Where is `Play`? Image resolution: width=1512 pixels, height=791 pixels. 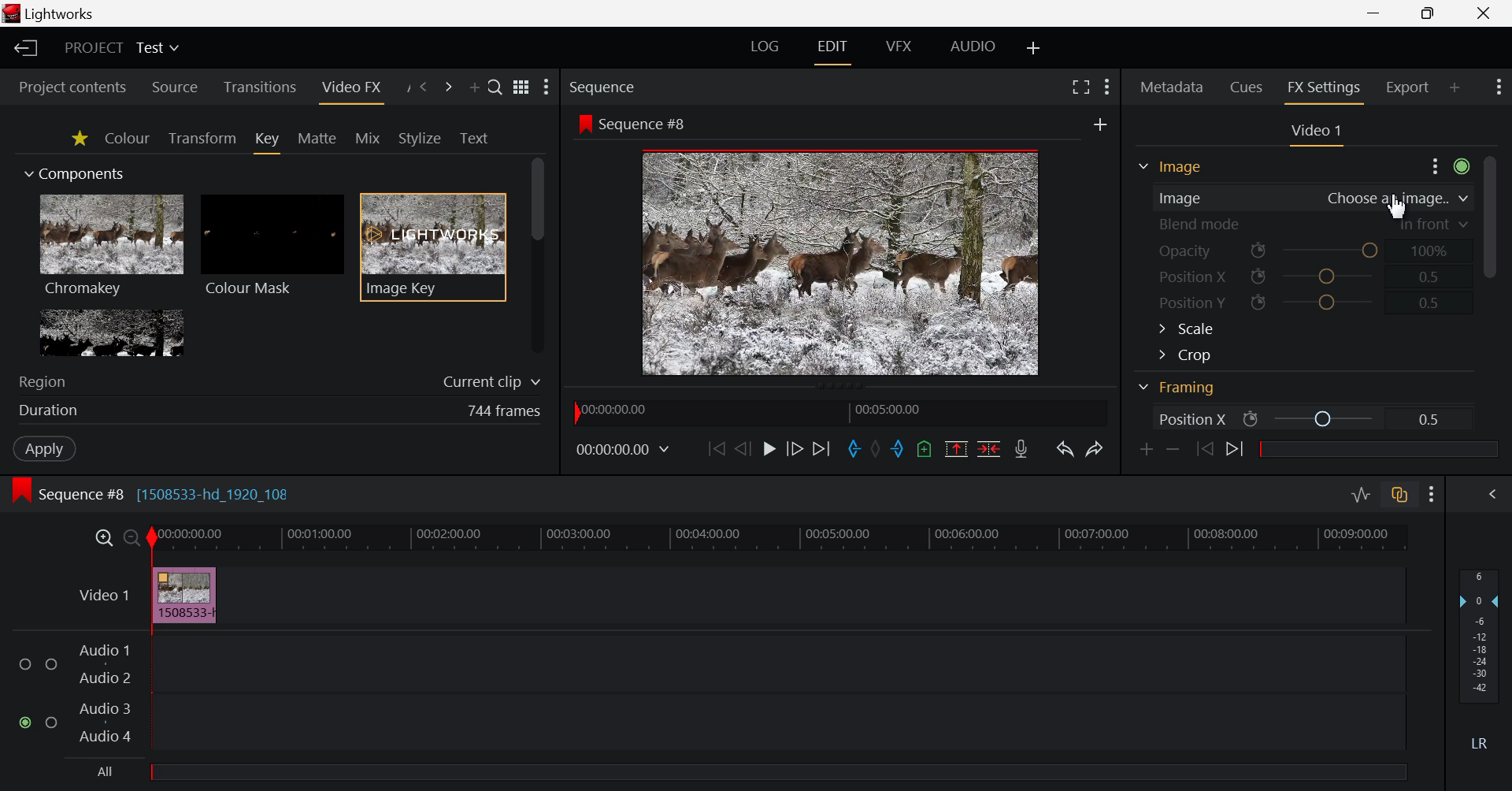 Play is located at coordinates (771, 450).